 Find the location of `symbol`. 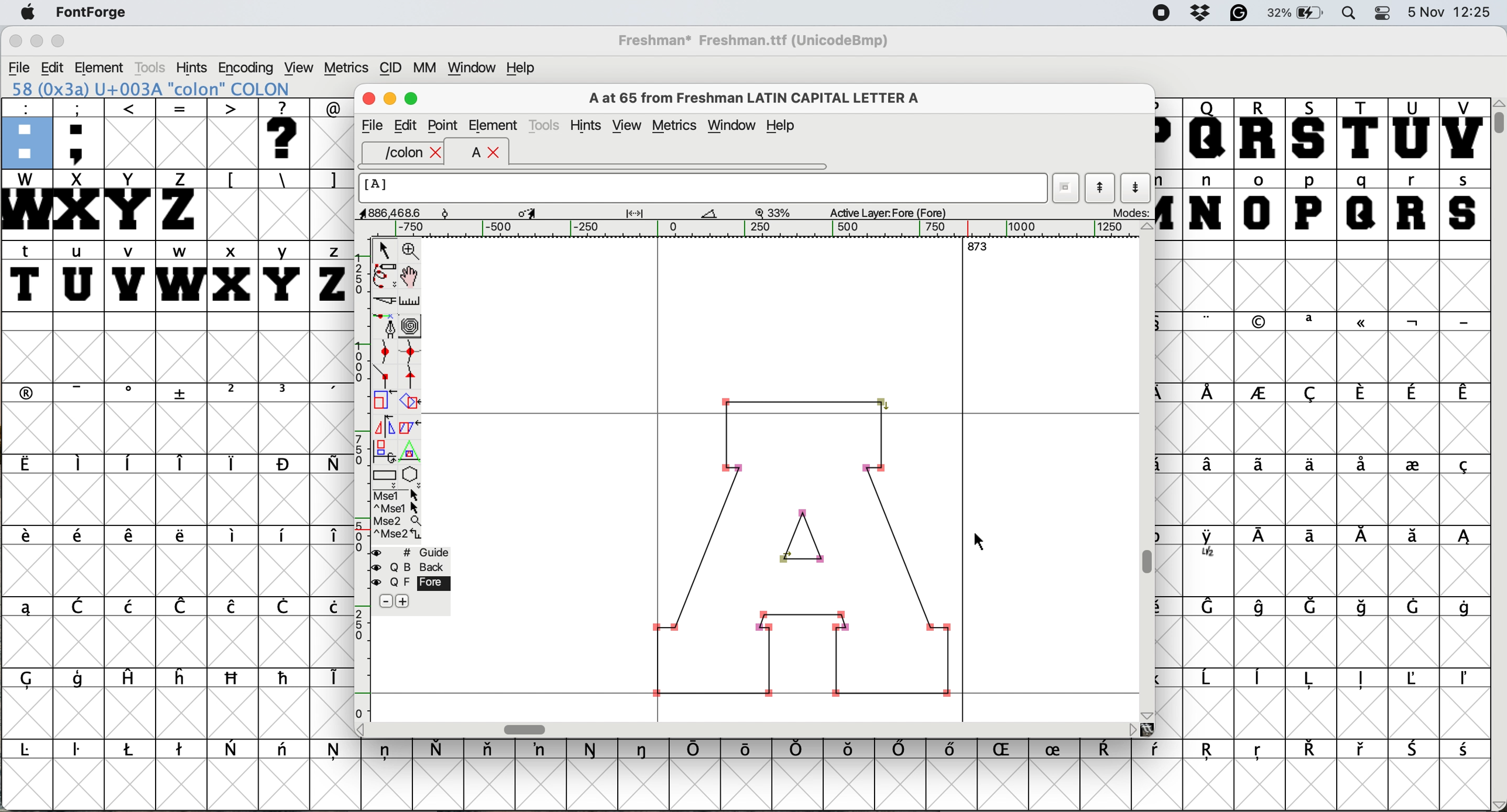

symbol is located at coordinates (1264, 538).